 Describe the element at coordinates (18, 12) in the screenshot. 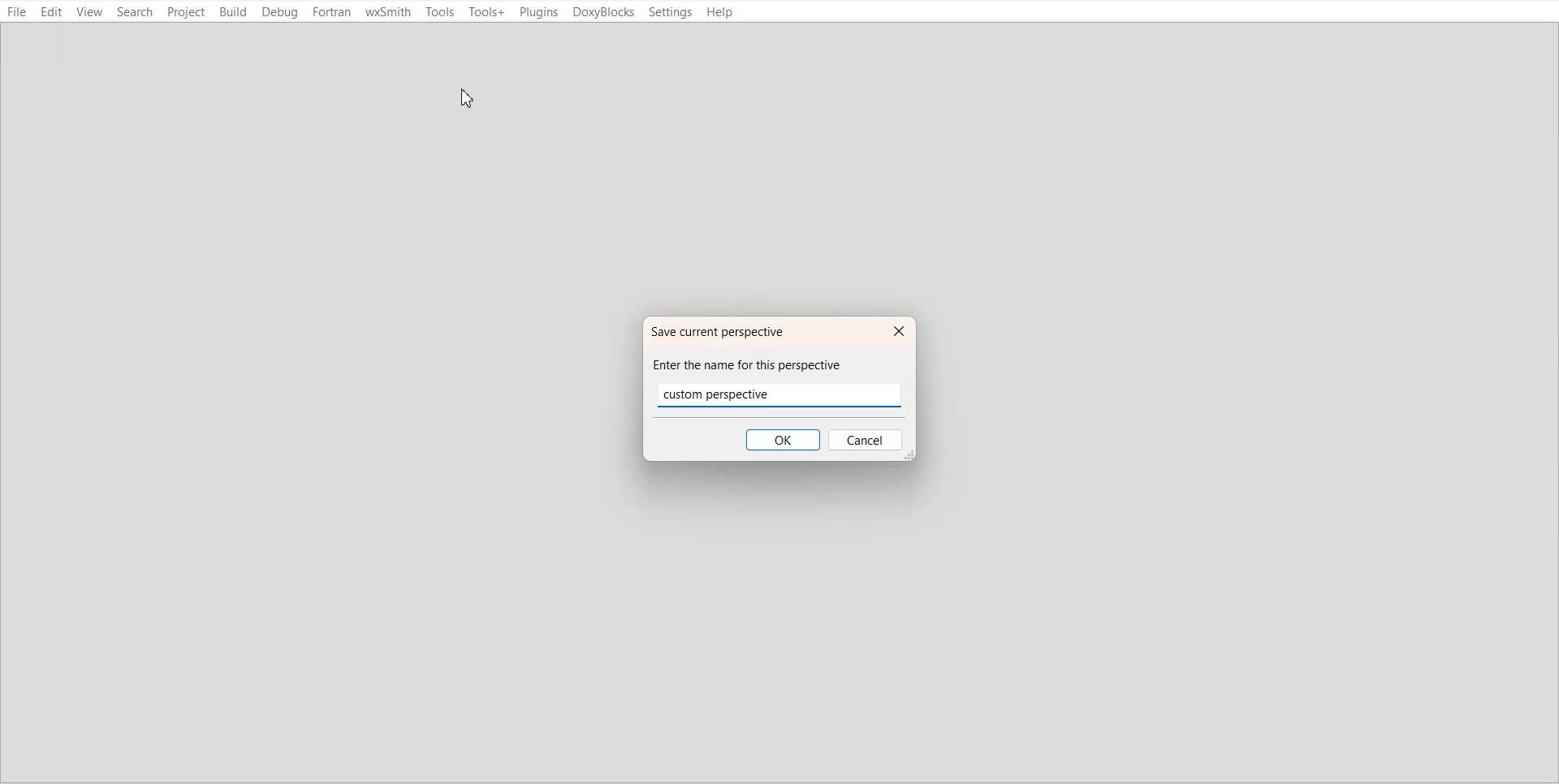

I see `File` at that location.